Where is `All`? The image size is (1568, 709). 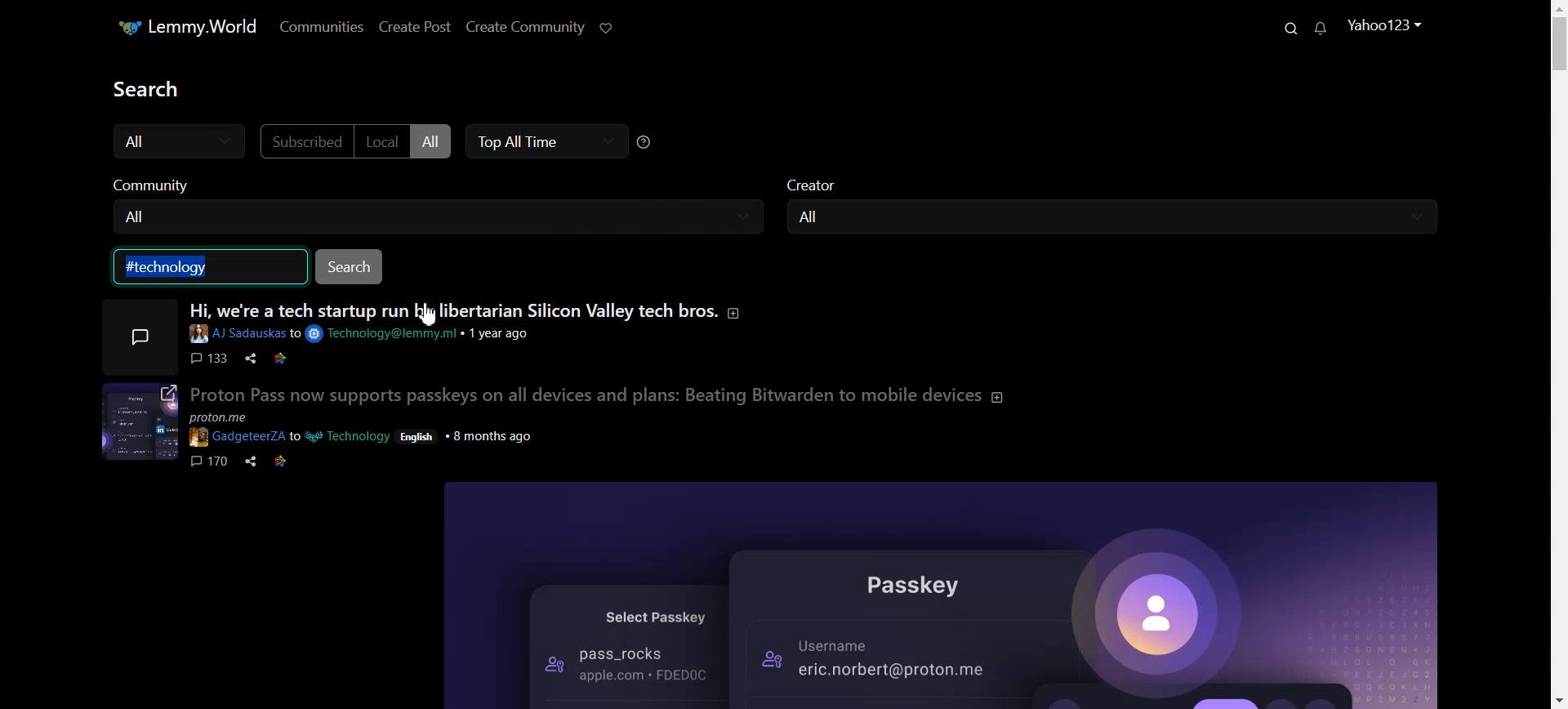
All is located at coordinates (146, 216).